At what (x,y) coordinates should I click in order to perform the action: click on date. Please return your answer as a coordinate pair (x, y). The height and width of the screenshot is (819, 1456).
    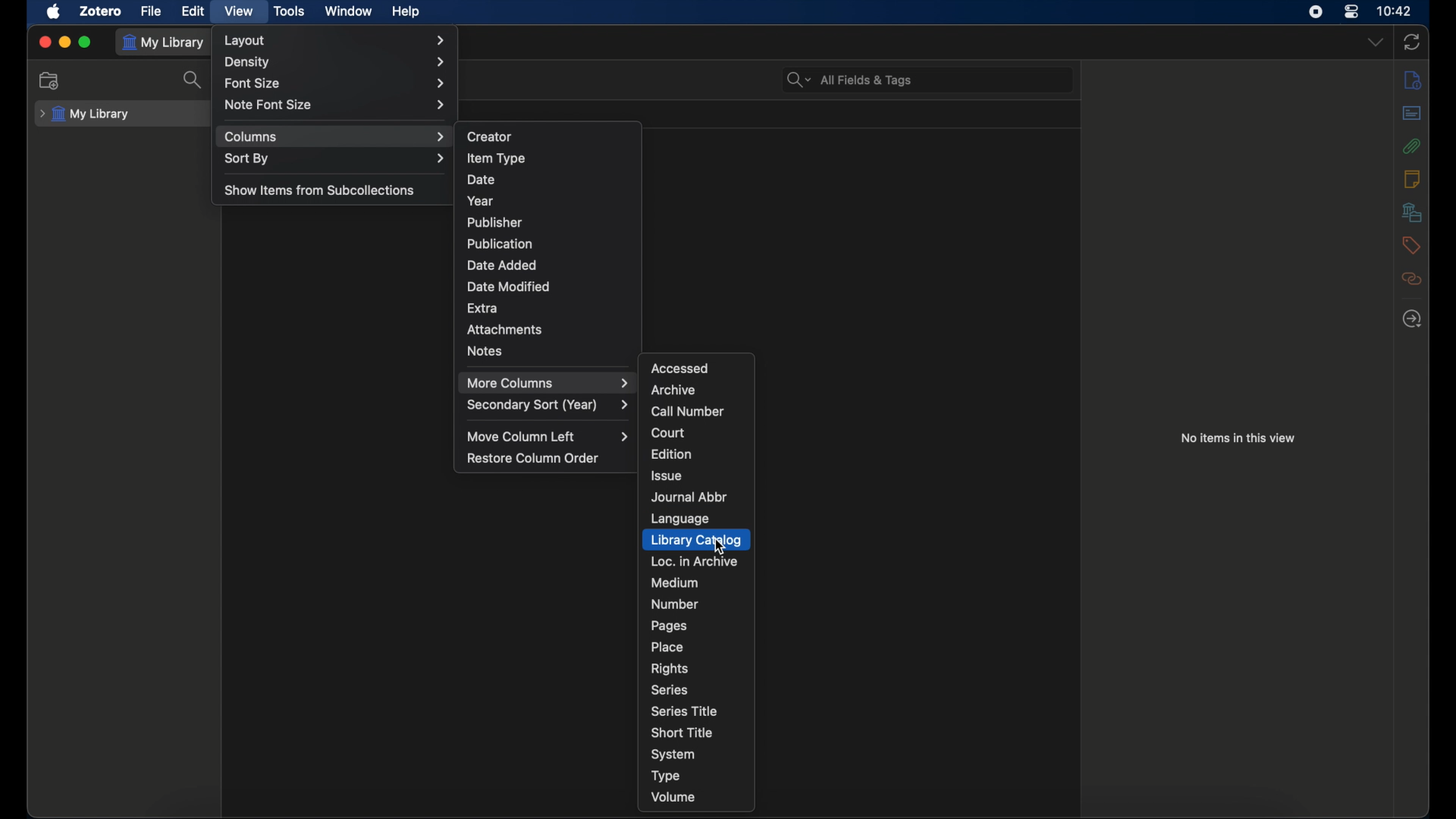
    Looking at the image, I should click on (481, 180).